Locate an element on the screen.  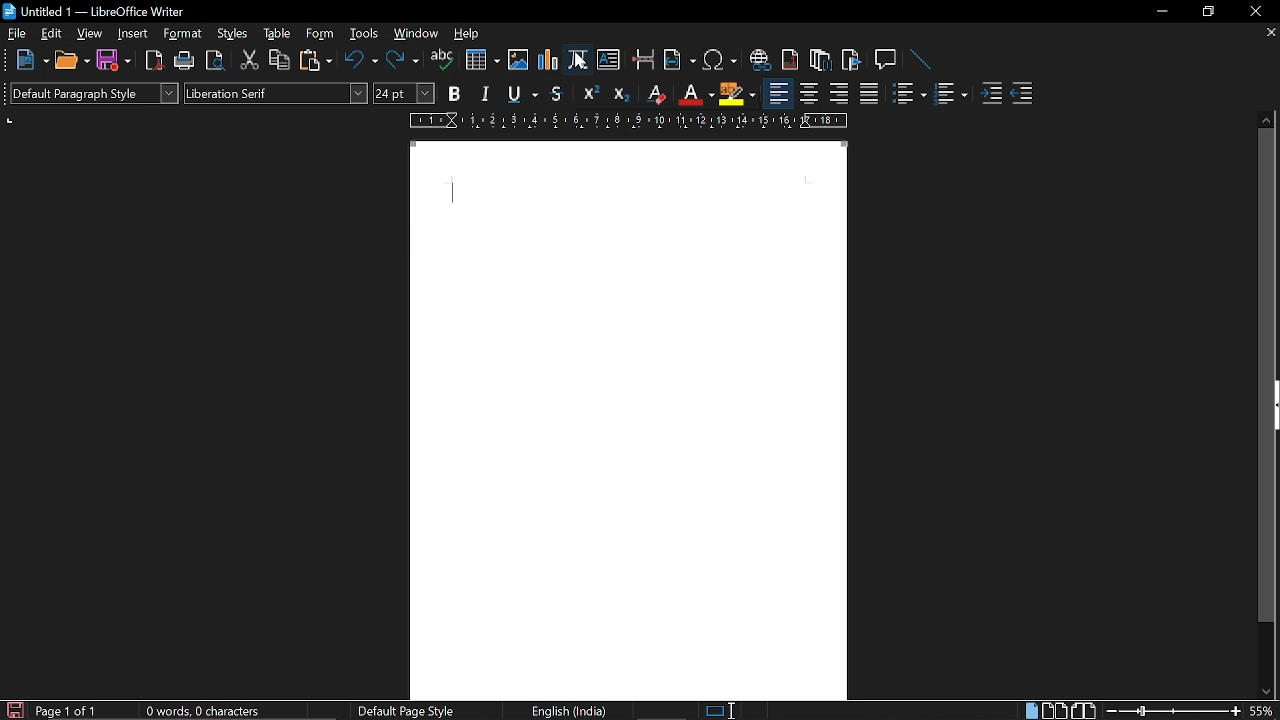
move up is located at coordinates (1267, 118).